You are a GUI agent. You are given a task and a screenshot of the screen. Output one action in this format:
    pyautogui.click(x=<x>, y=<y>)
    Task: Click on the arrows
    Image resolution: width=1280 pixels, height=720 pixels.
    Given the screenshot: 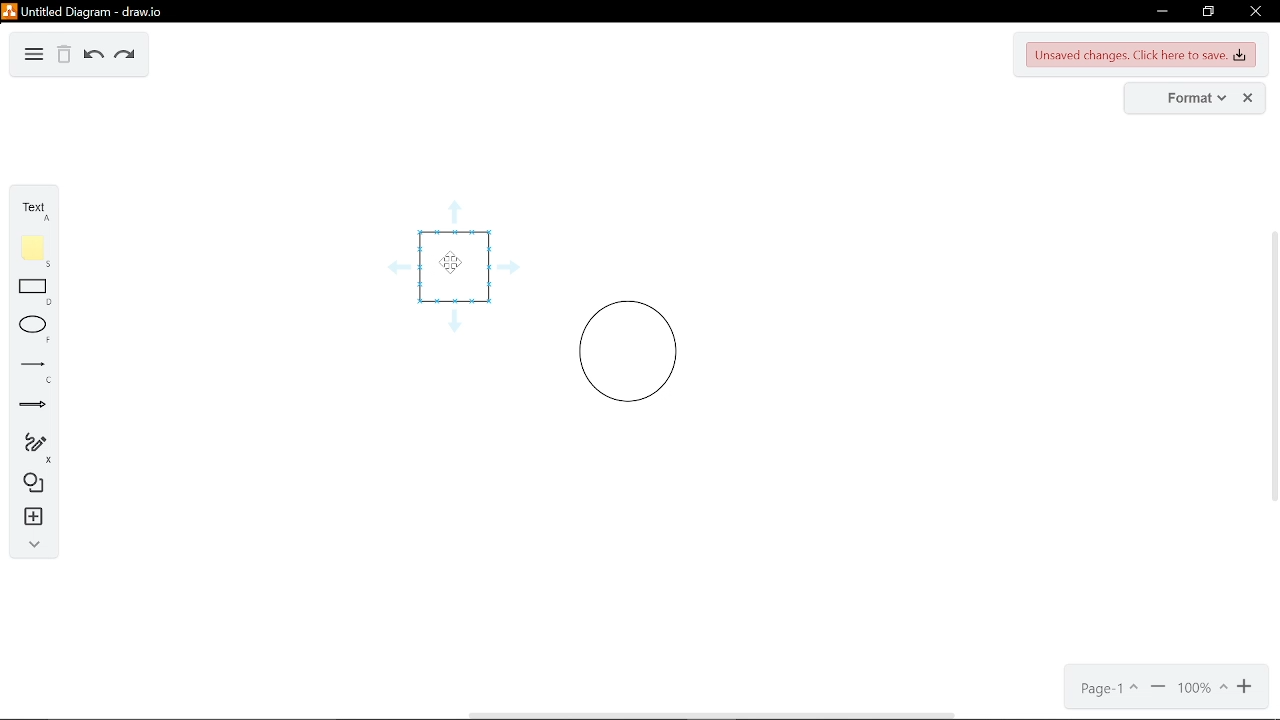 What is the action you would take?
    pyautogui.click(x=33, y=407)
    